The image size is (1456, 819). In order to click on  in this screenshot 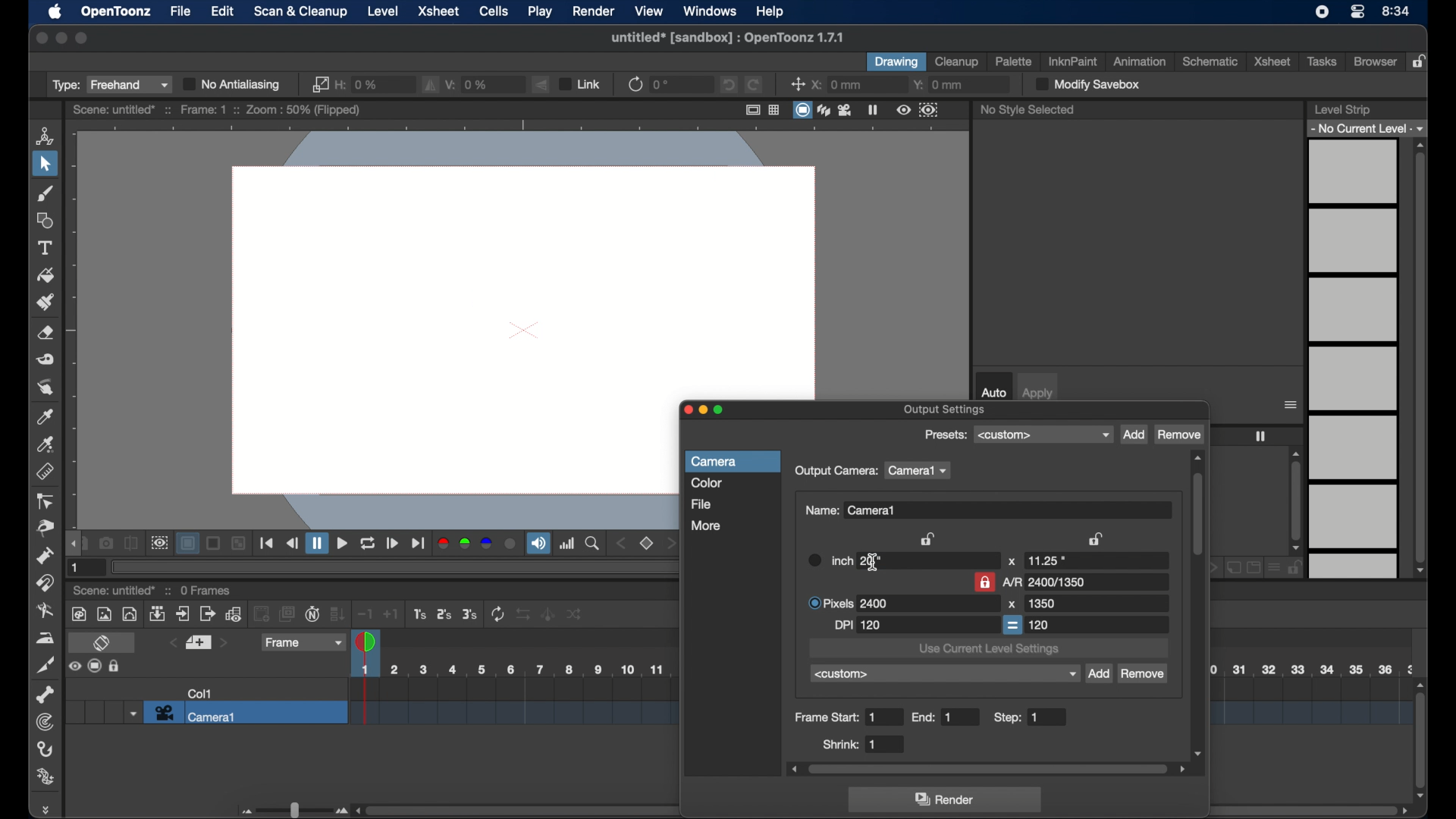, I will do `click(95, 666)`.